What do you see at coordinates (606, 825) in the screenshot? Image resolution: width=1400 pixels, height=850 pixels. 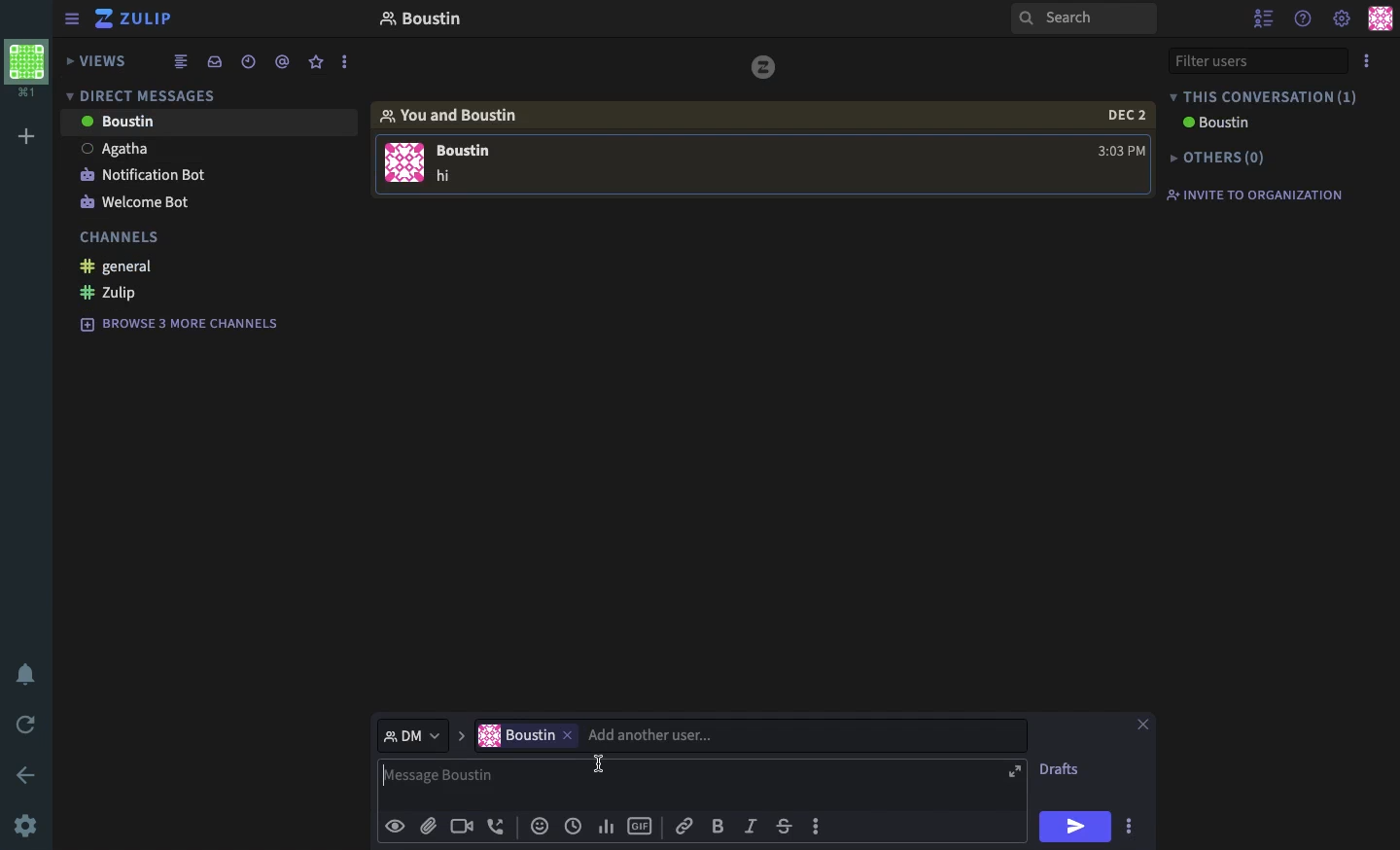 I see `chart` at bounding box center [606, 825].